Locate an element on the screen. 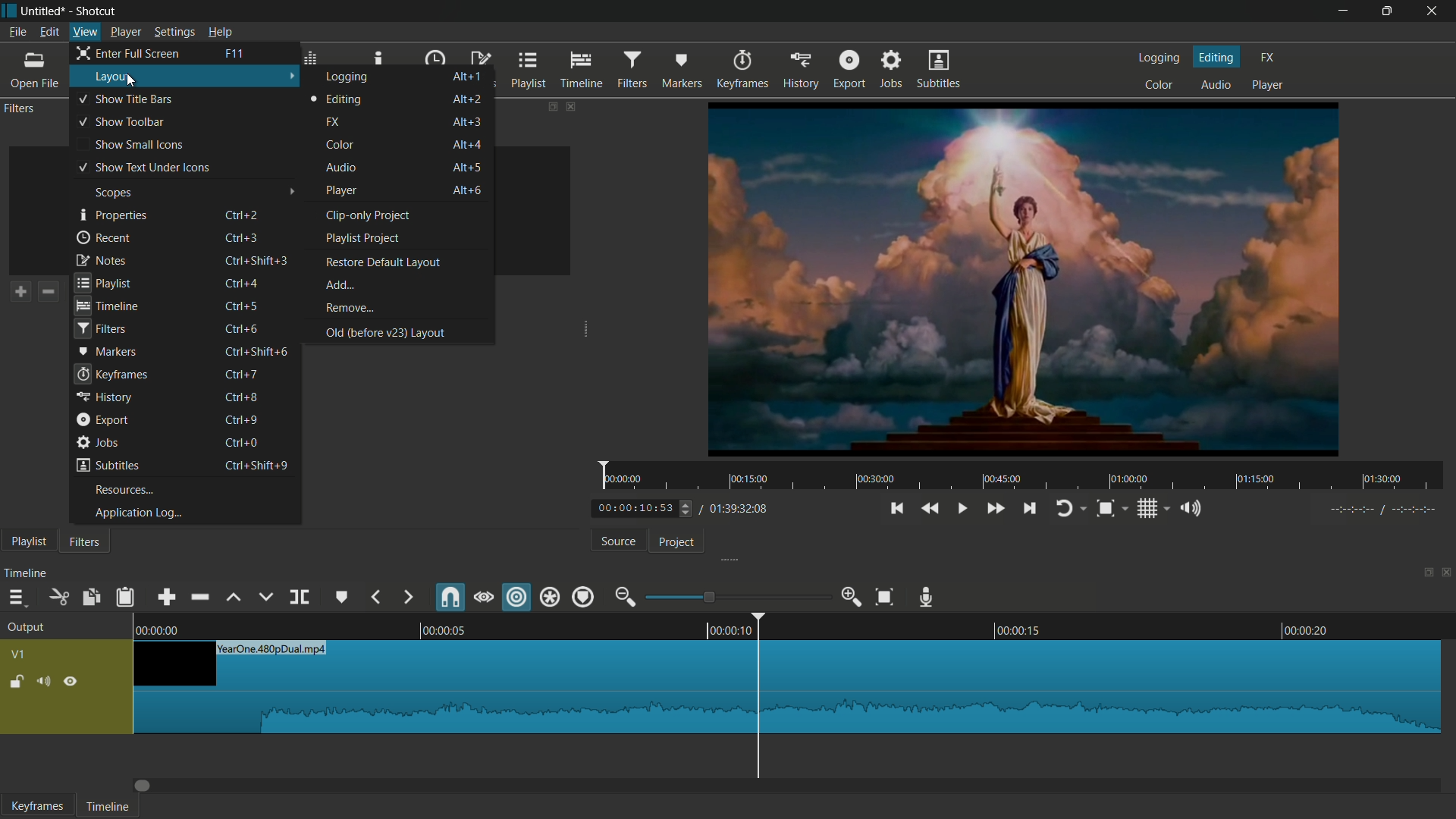 This screenshot has height=819, width=1456. filters is located at coordinates (99, 329).